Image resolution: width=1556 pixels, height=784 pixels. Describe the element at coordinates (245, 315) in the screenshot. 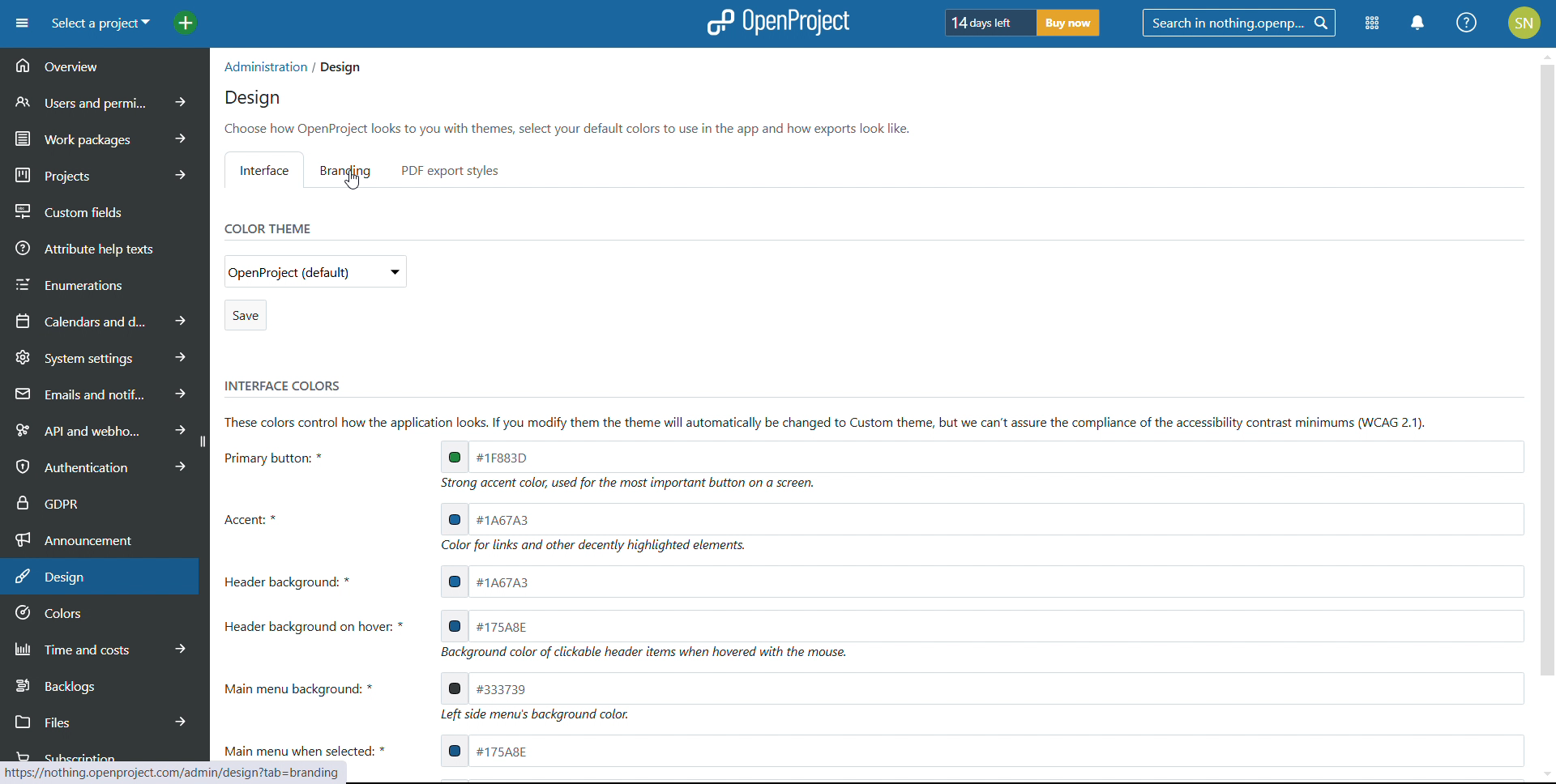

I see `save` at that location.